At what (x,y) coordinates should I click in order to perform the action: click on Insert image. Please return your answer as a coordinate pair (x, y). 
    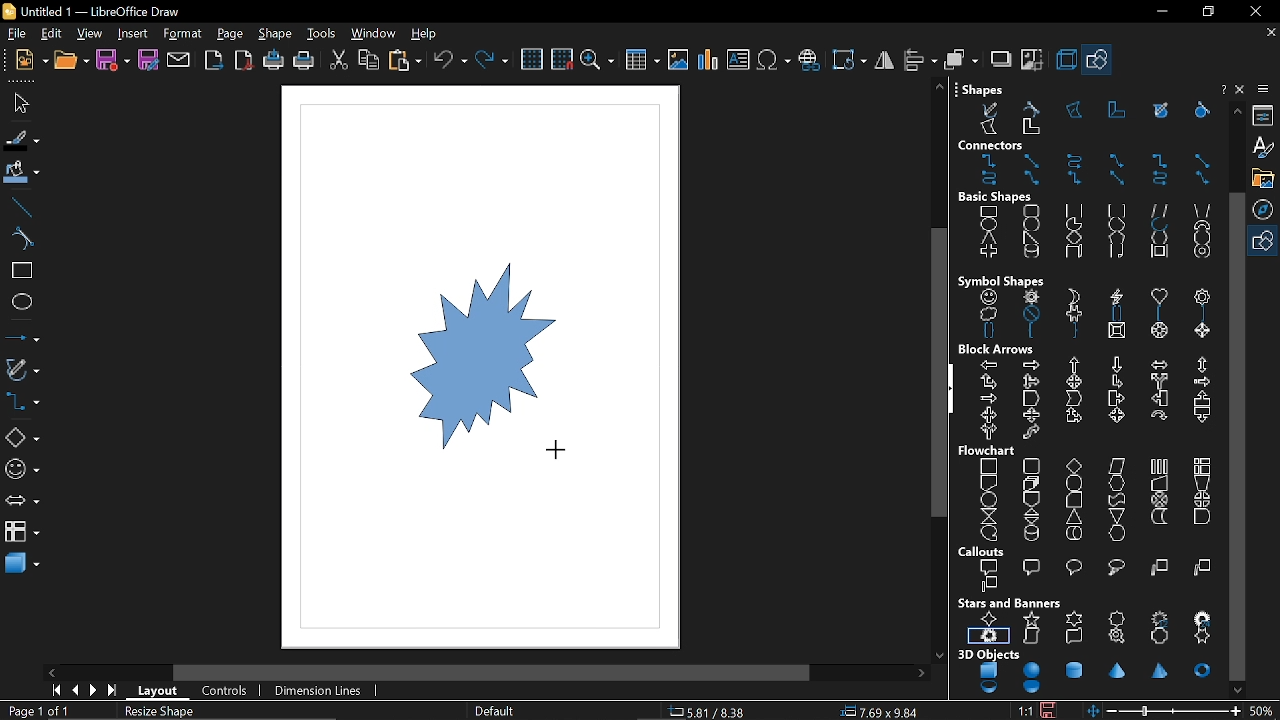
    Looking at the image, I should click on (679, 60).